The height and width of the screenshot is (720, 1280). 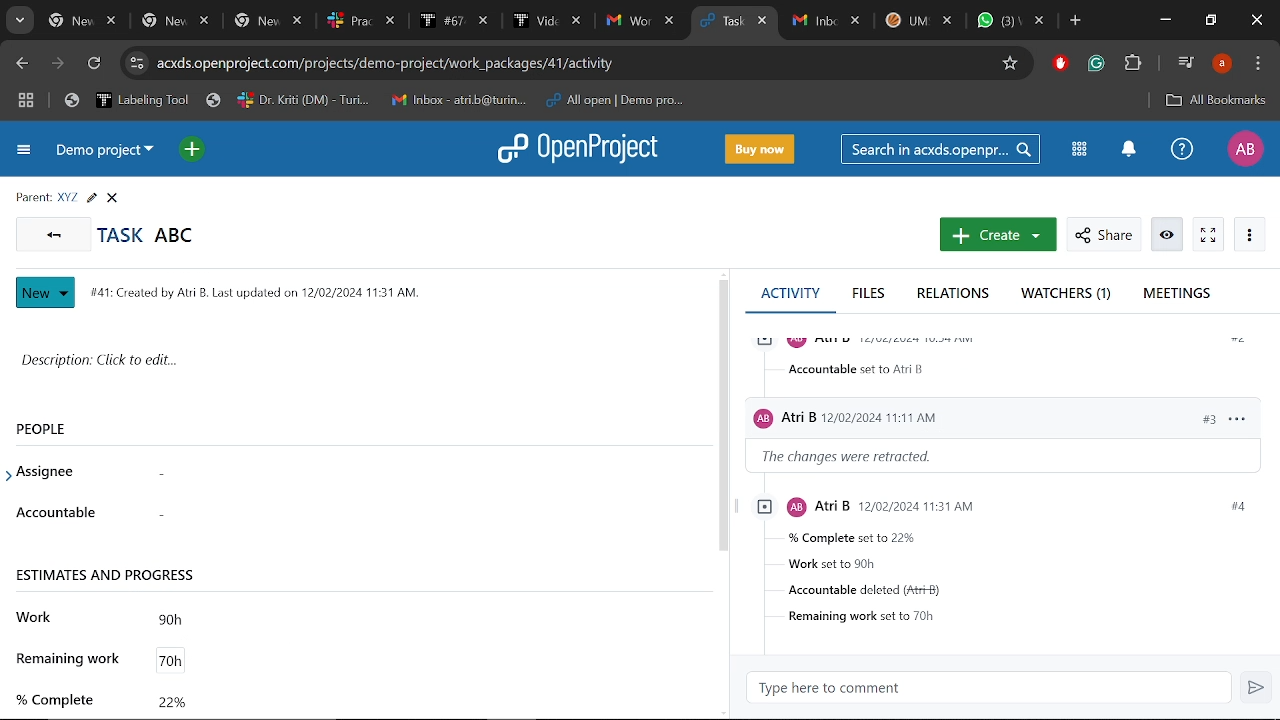 What do you see at coordinates (571, 62) in the screenshot?
I see `CIte address` at bounding box center [571, 62].